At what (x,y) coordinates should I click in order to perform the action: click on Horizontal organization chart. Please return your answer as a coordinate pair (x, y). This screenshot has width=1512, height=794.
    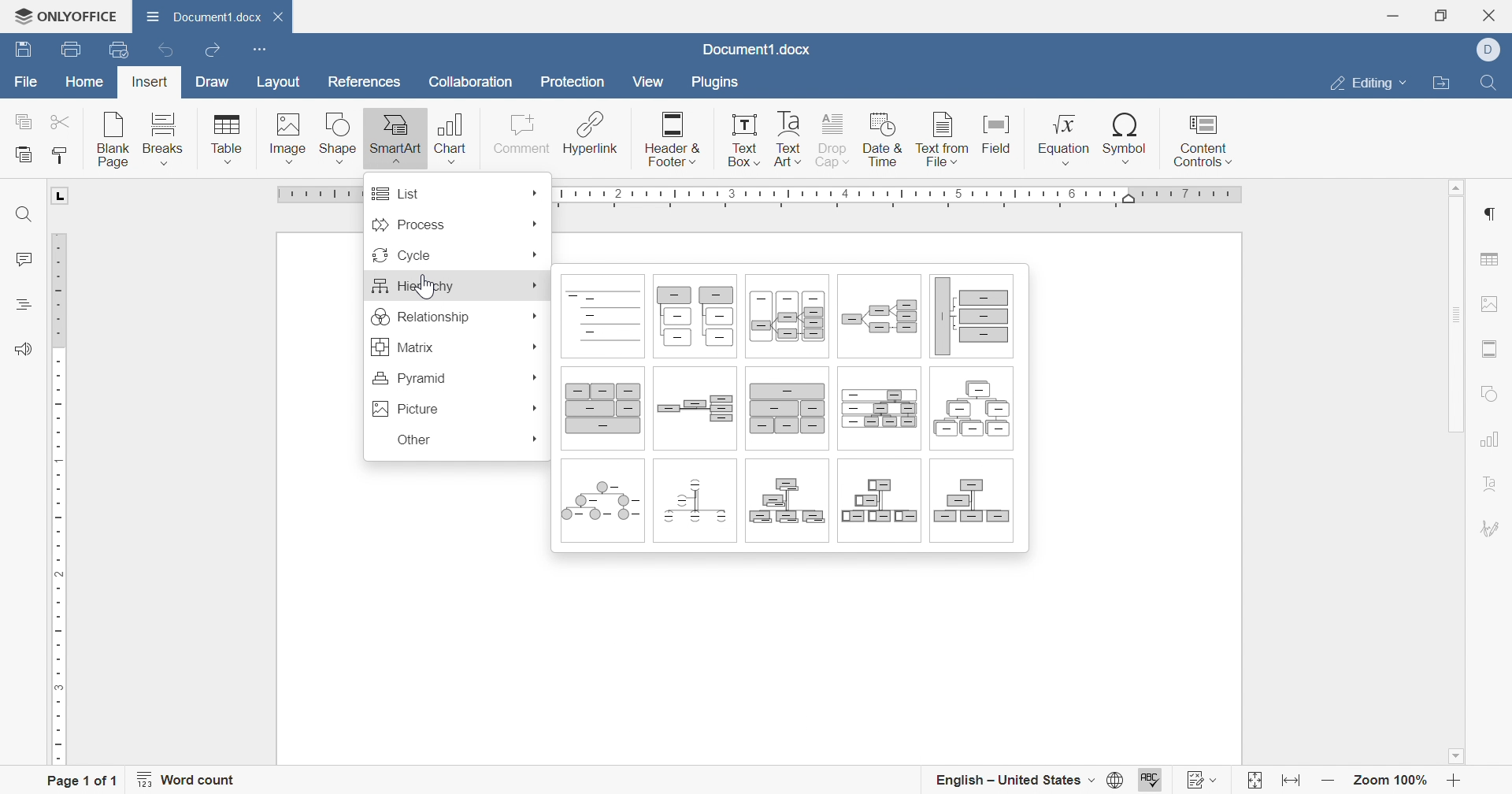
    Looking at the image, I should click on (696, 410).